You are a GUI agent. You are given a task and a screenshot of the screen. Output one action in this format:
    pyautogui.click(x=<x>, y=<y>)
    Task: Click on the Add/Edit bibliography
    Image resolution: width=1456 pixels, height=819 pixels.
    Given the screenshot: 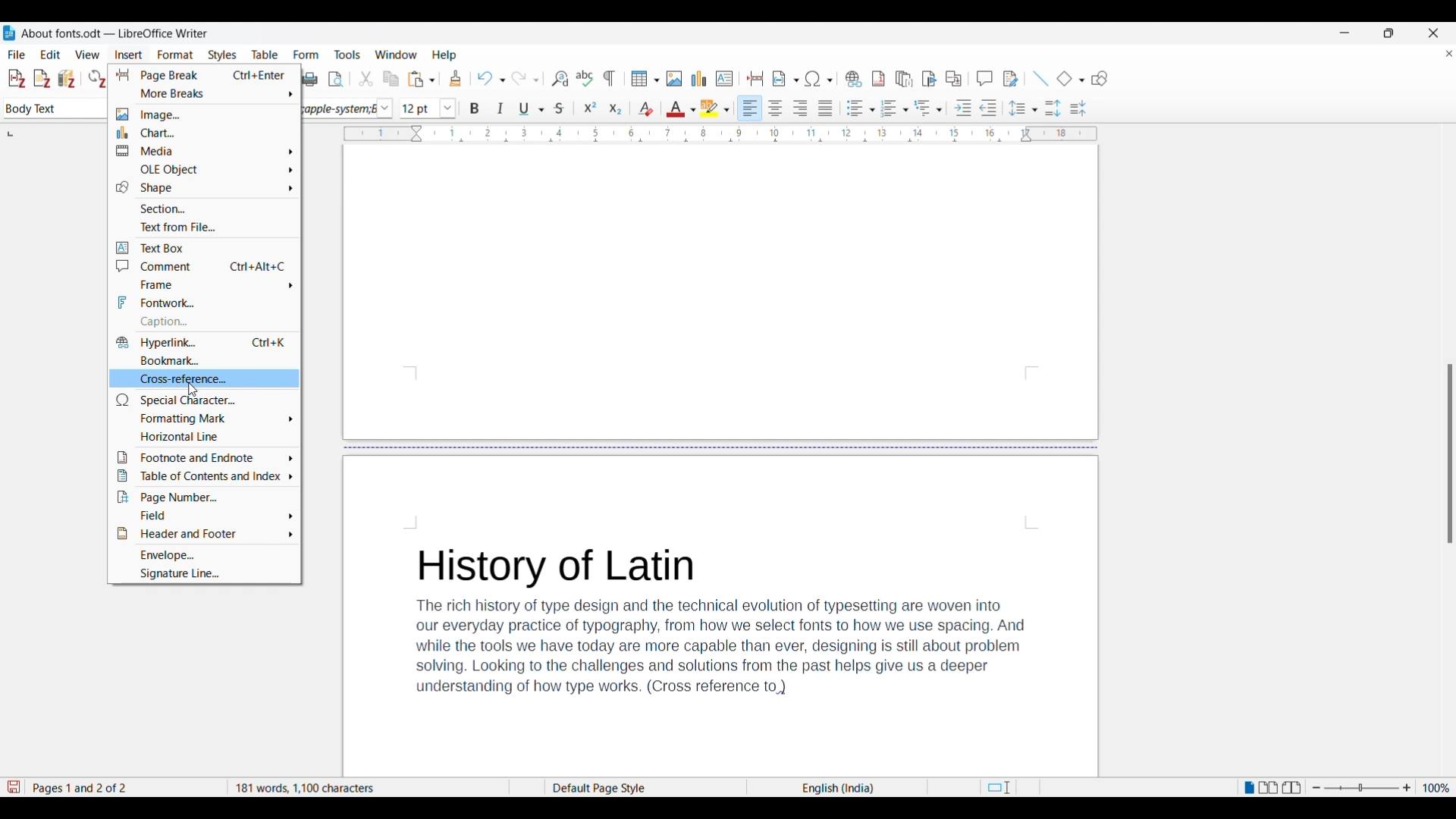 What is the action you would take?
    pyautogui.click(x=67, y=79)
    